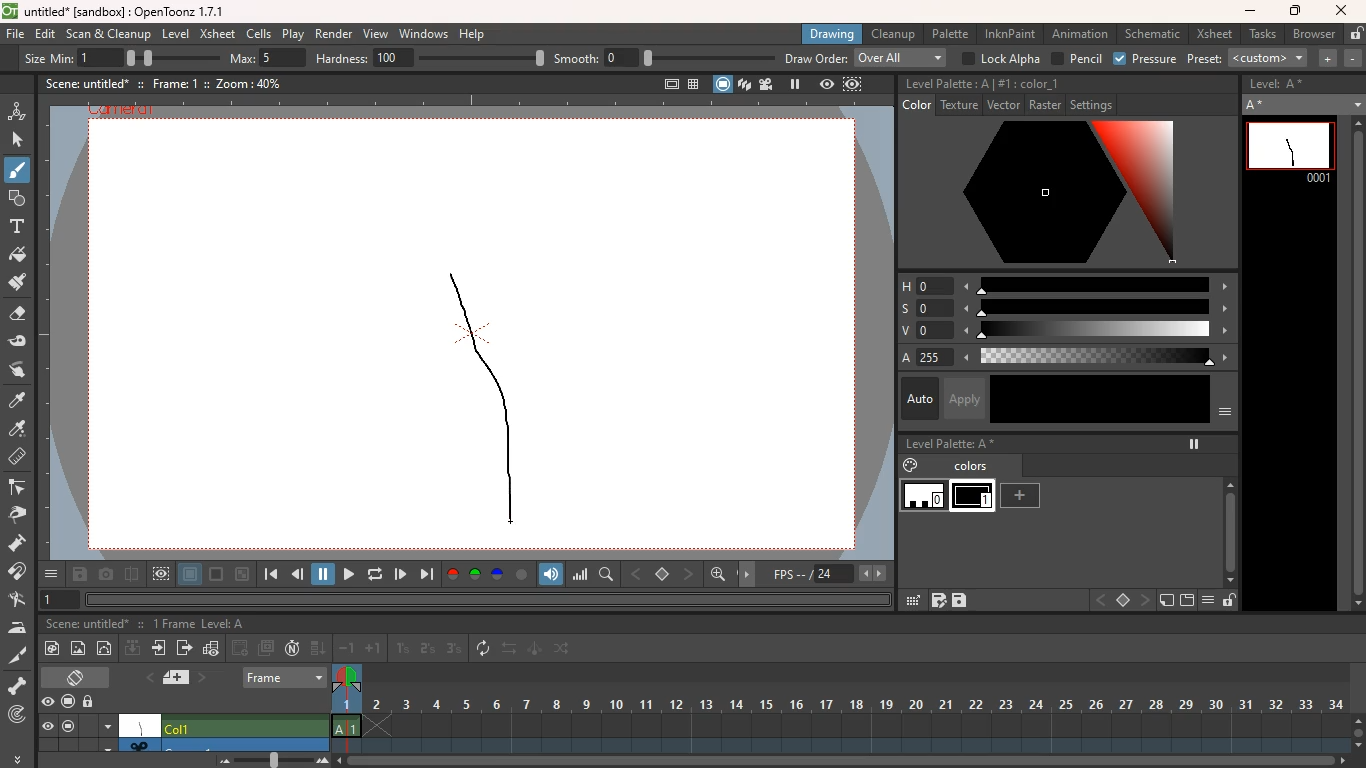  I want to click on close, so click(1342, 10).